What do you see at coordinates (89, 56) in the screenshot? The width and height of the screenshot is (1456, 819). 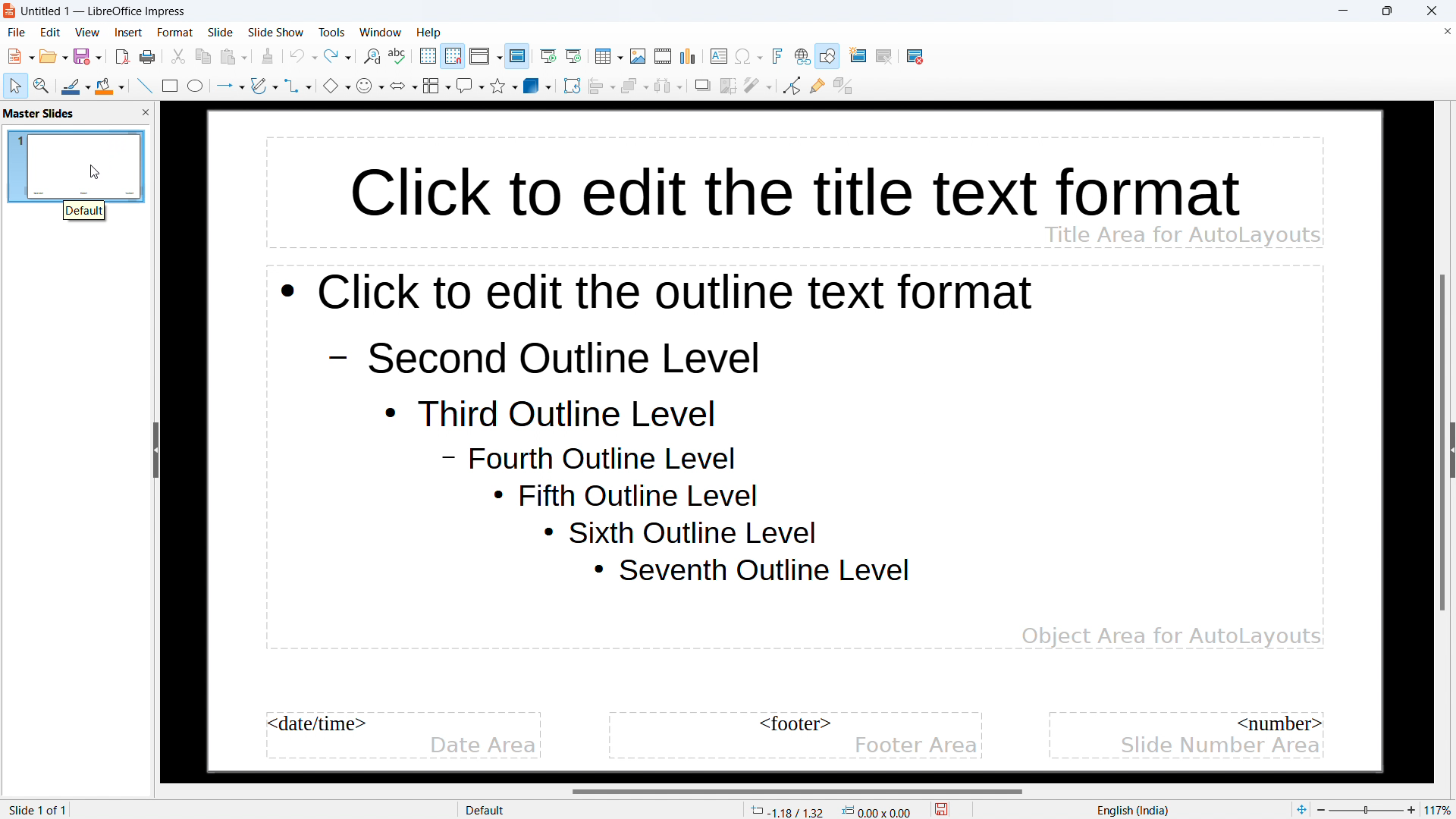 I see `save` at bounding box center [89, 56].